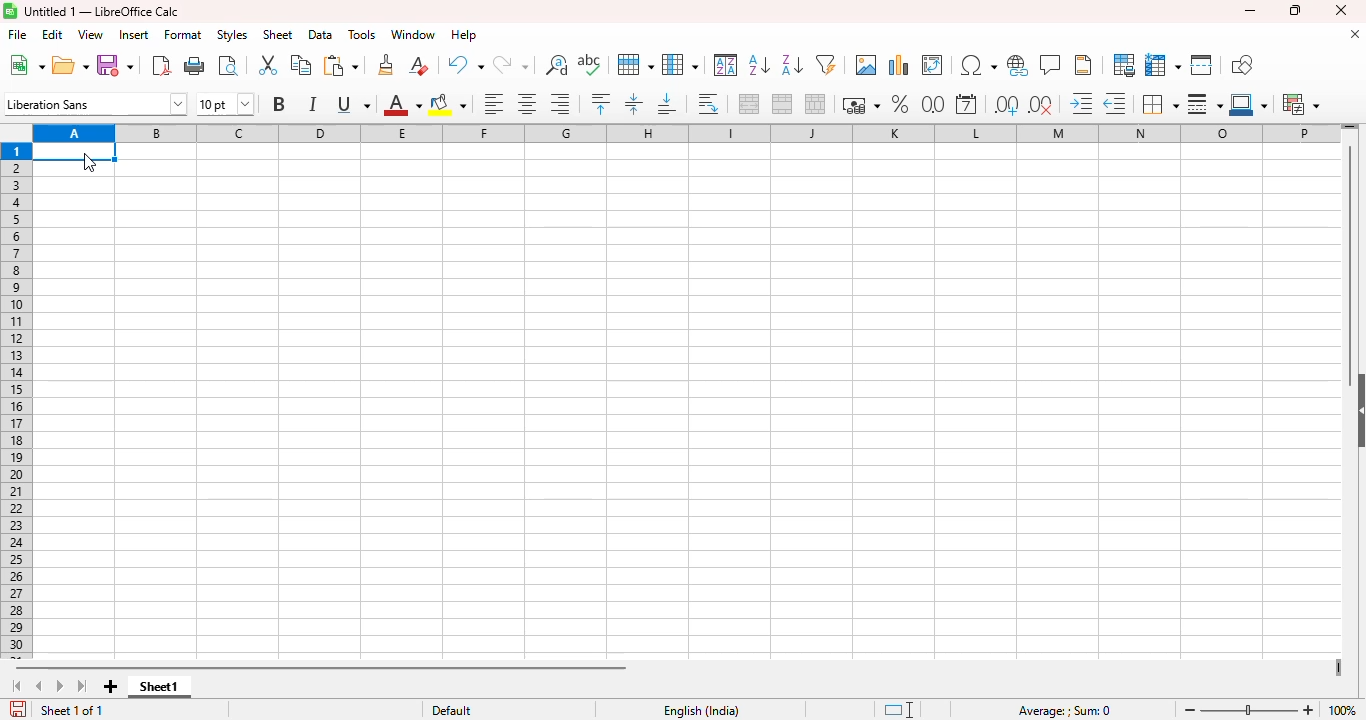 The height and width of the screenshot is (720, 1366). What do you see at coordinates (1241, 64) in the screenshot?
I see `show draw functions` at bounding box center [1241, 64].